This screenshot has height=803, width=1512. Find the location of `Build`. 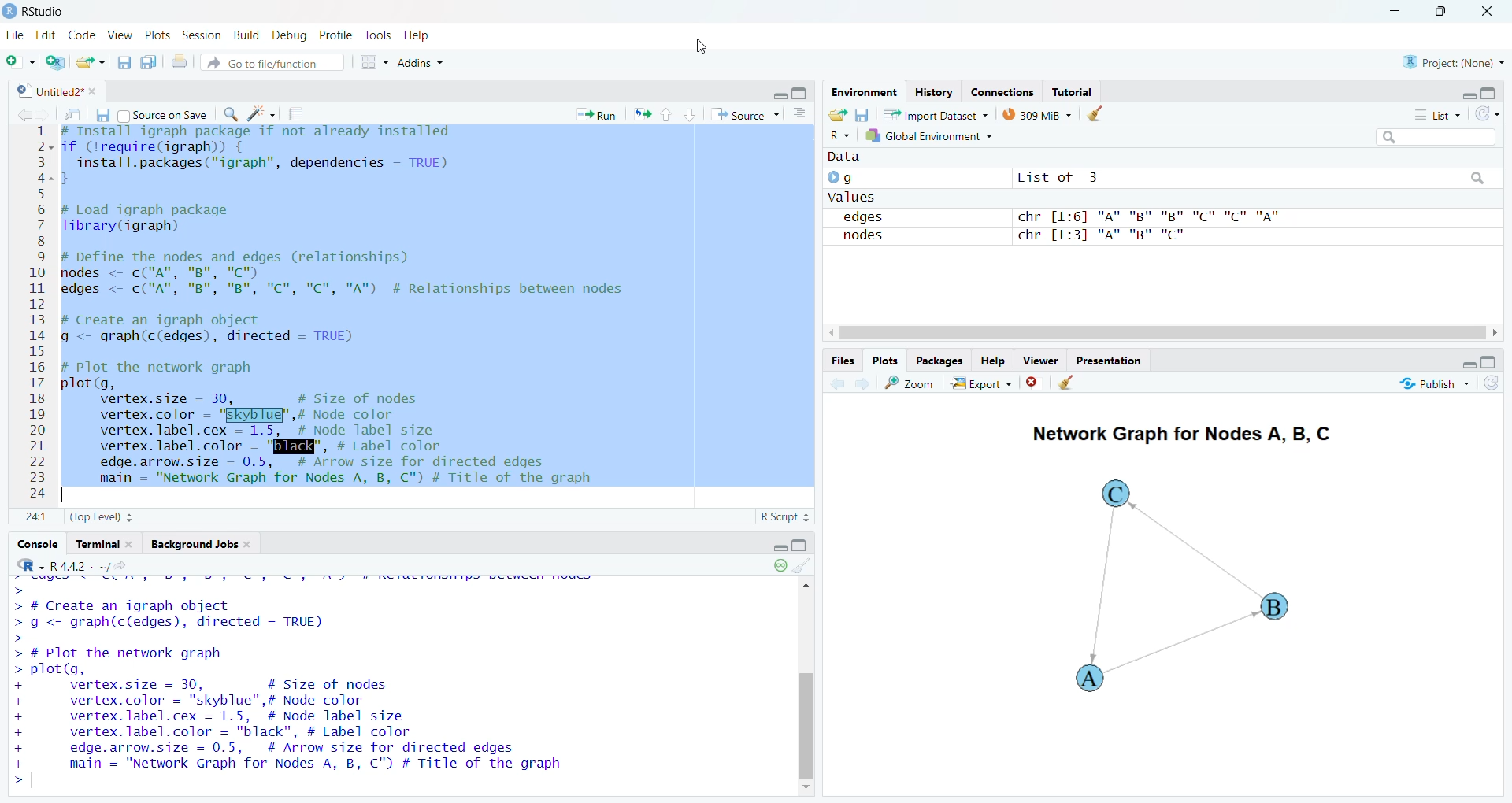

Build is located at coordinates (243, 35).